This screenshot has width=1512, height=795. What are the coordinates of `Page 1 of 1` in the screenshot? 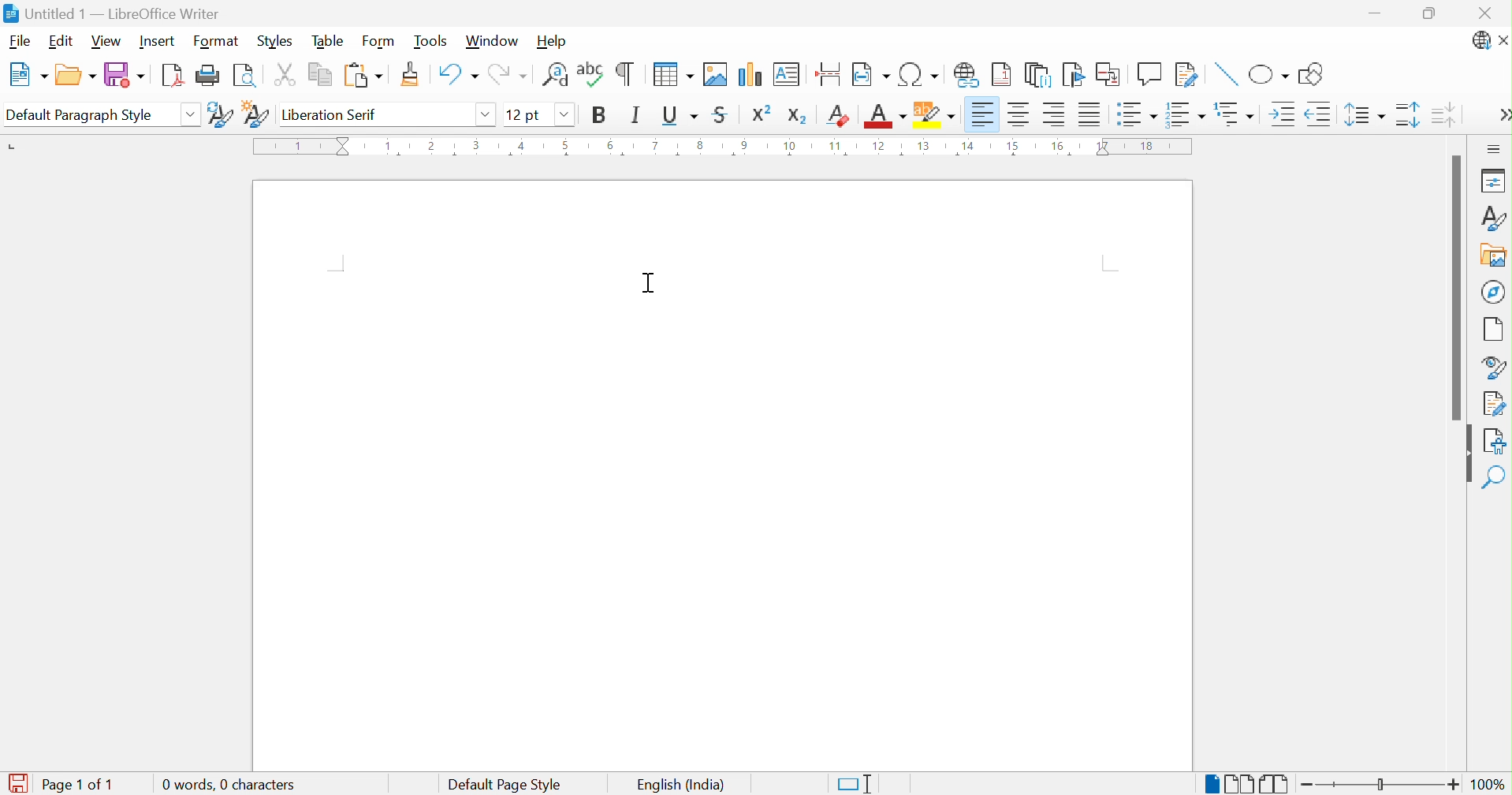 It's located at (58, 785).